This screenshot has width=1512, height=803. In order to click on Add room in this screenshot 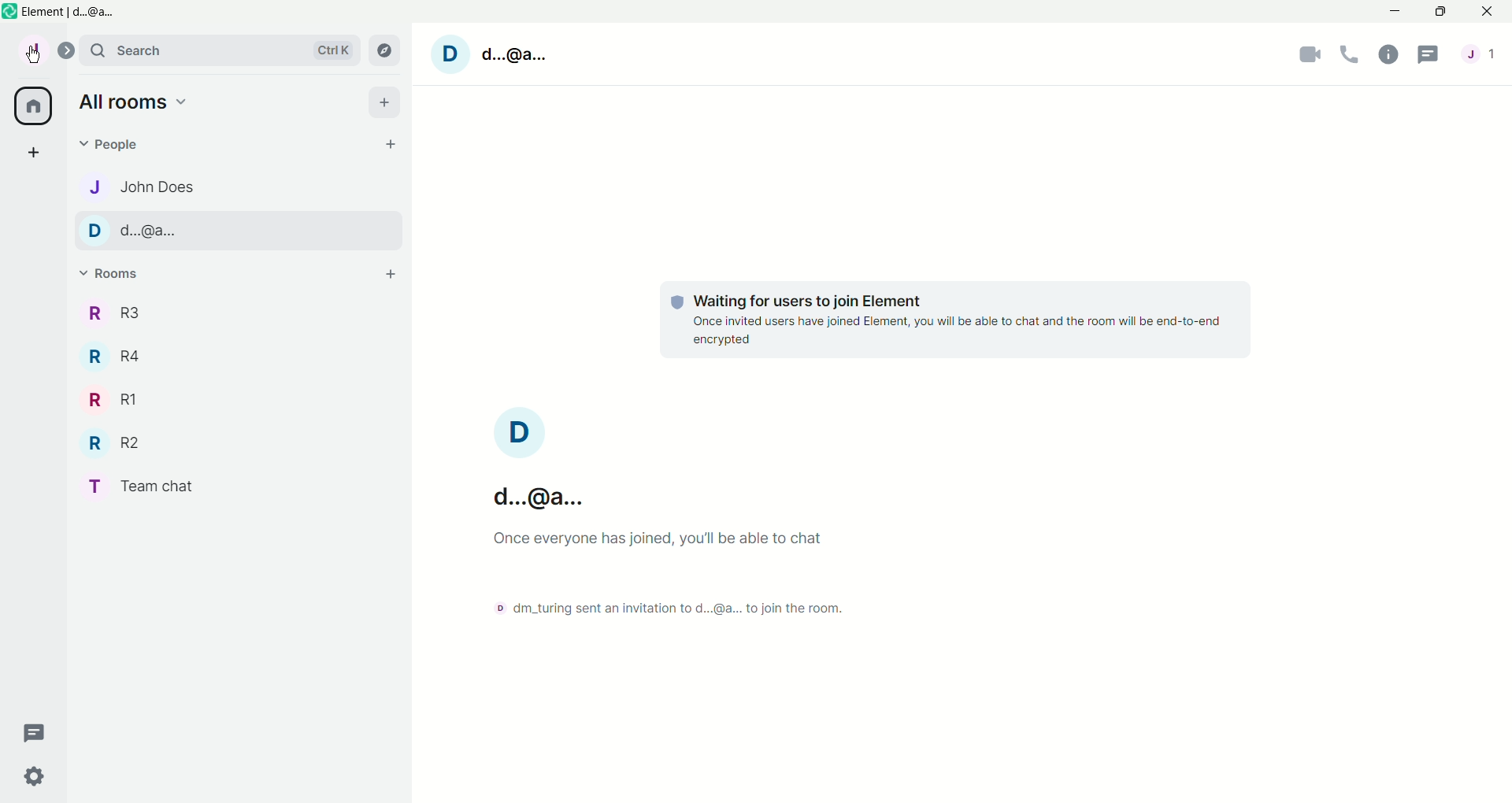, I will do `click(391, 274)`.